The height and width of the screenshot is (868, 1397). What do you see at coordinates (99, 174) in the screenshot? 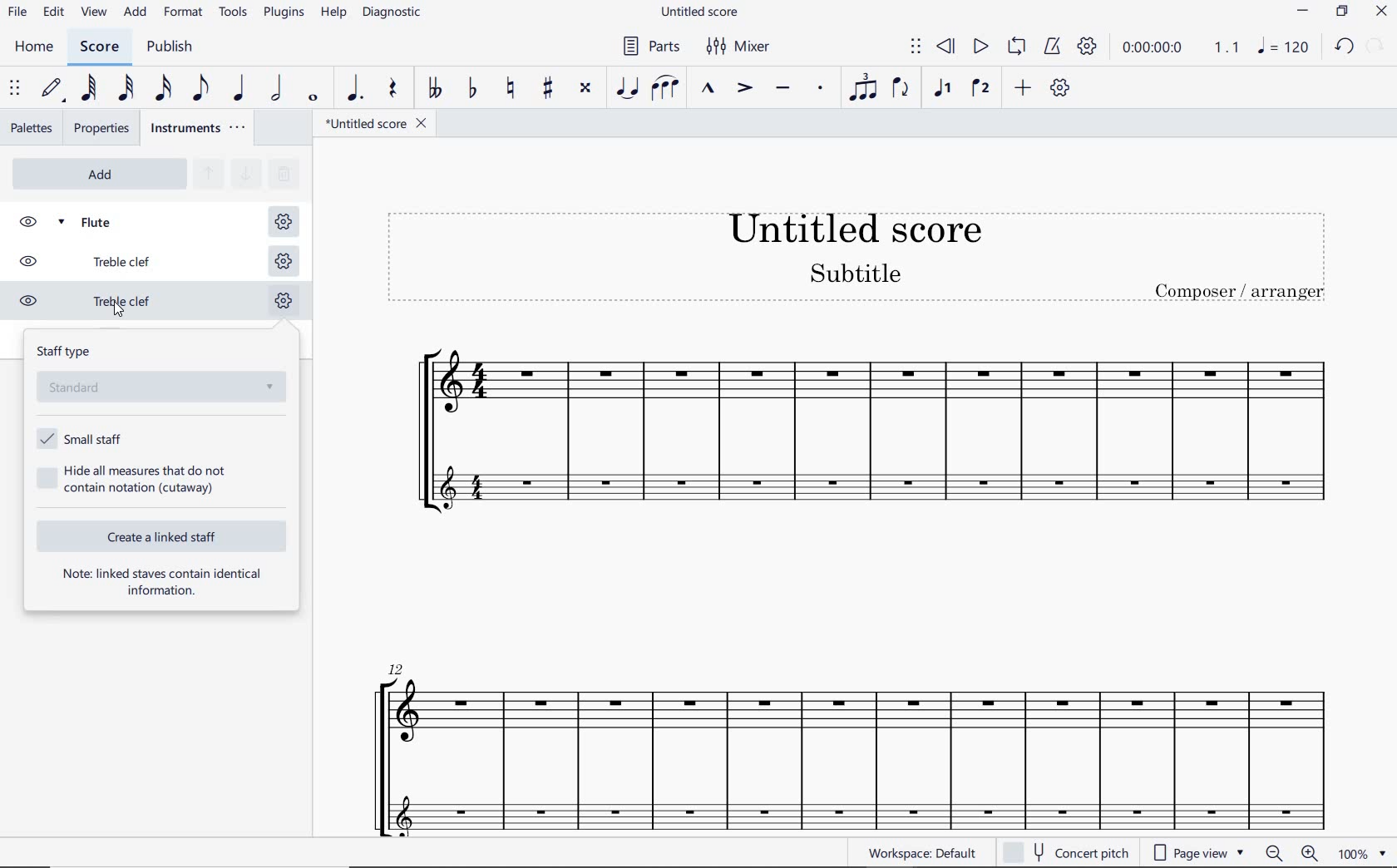
I see `ADD` at bounding box center [99, 174].